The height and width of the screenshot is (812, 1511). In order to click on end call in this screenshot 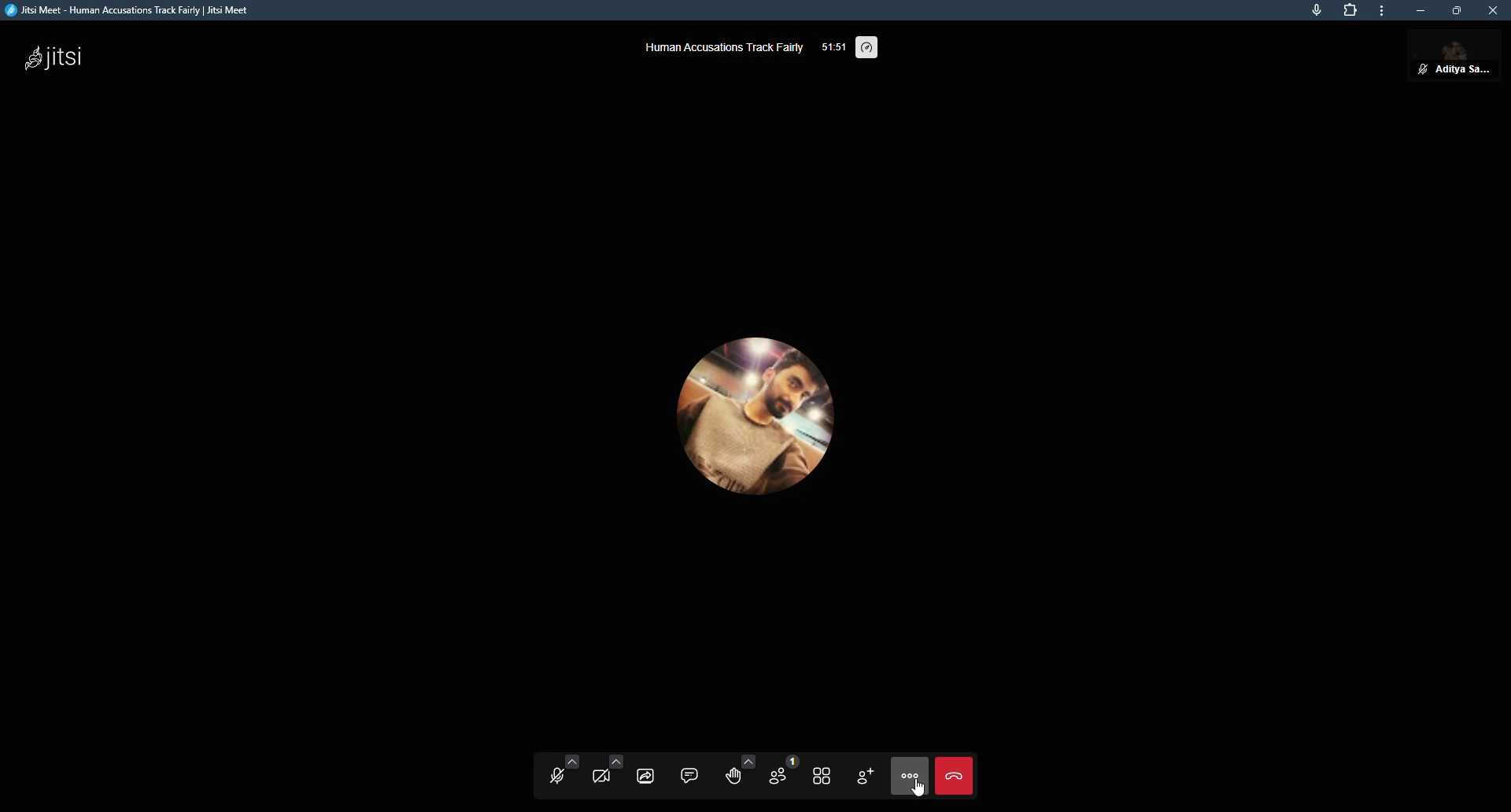, I will do `click(952, 778)`.